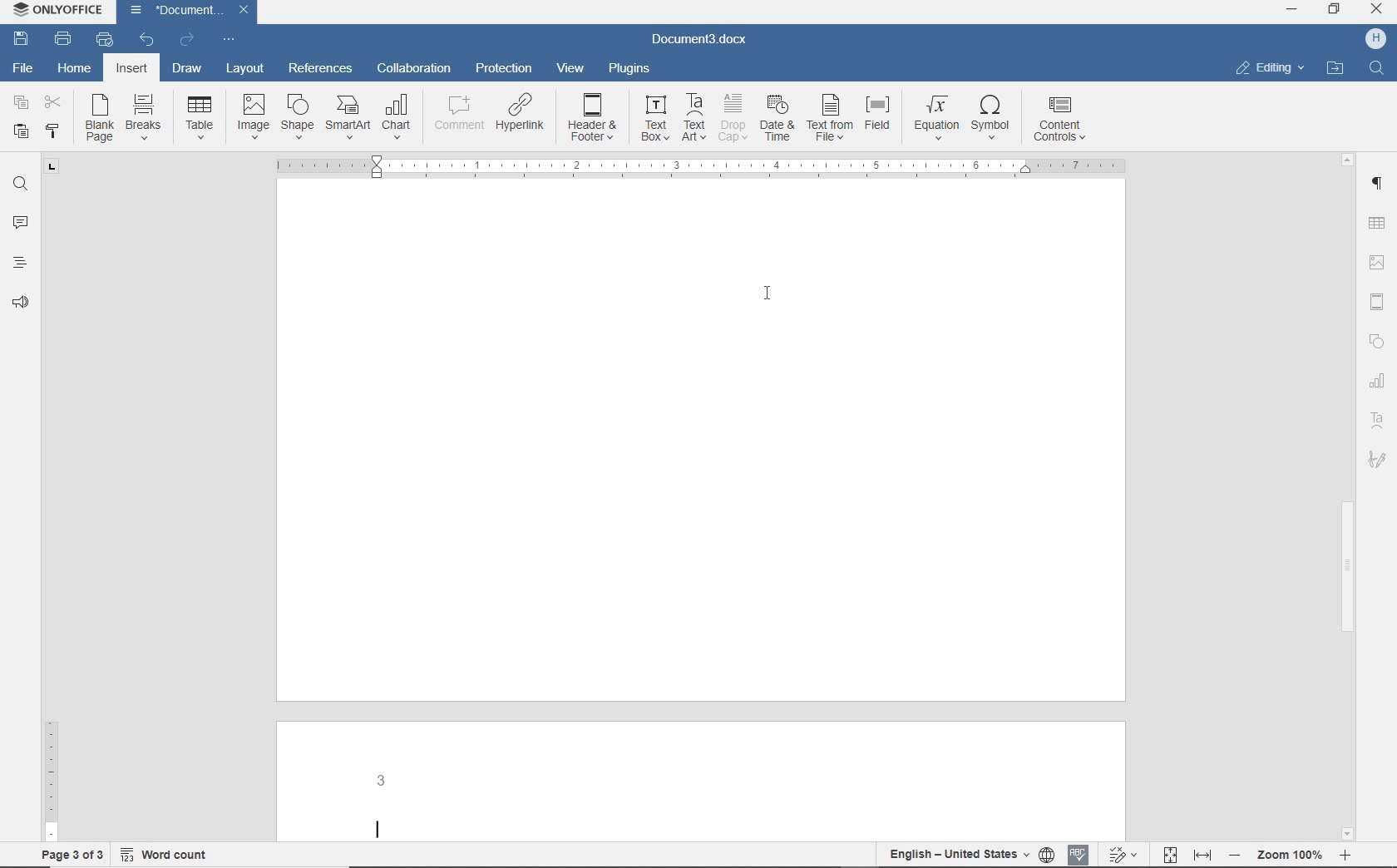 The width and height of the screenshot is (1397, 868). I want to click on Horizontal ruler, so click(702, 170).